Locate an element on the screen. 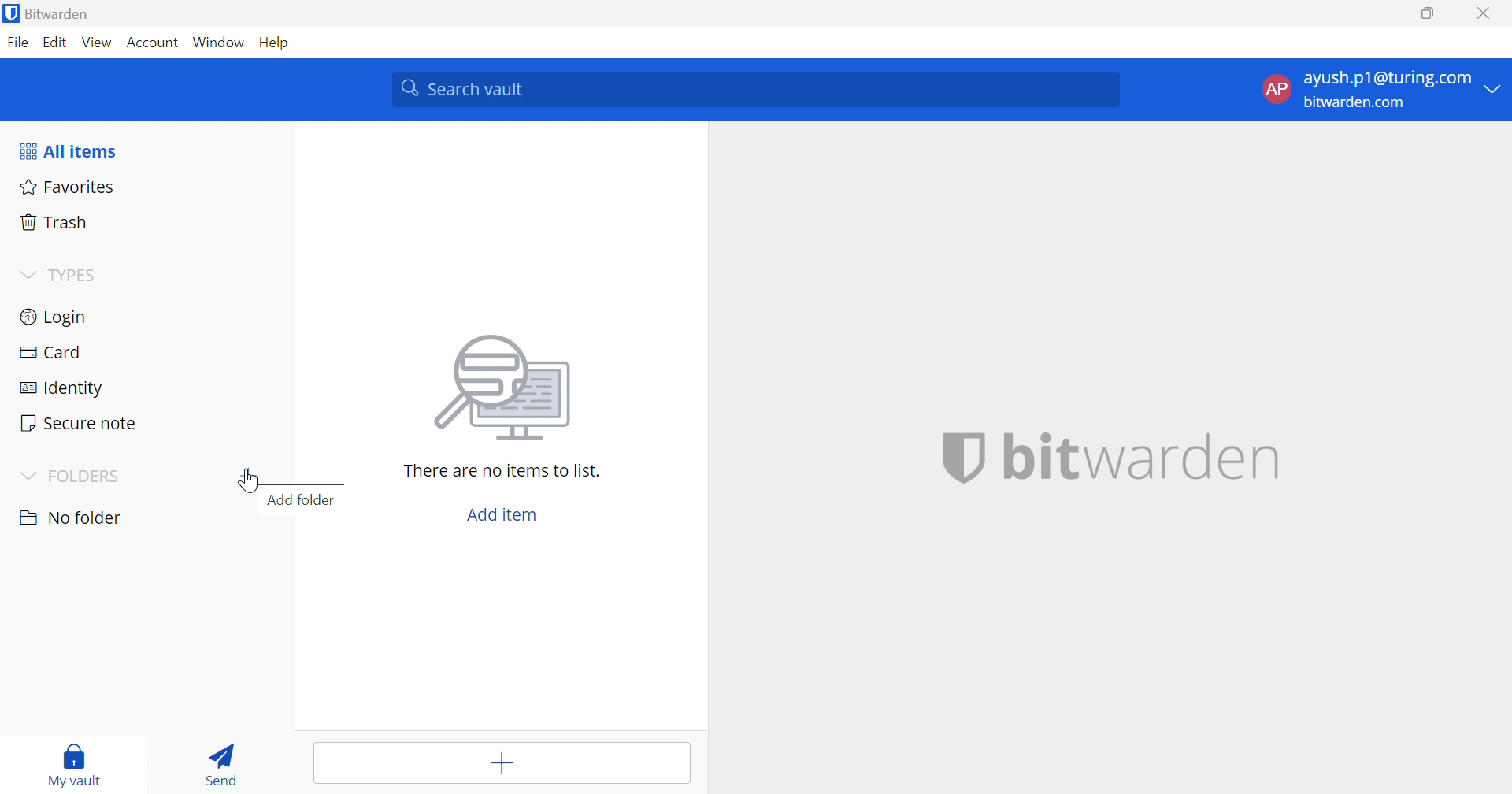  Send is located at coordinates (223, 764).